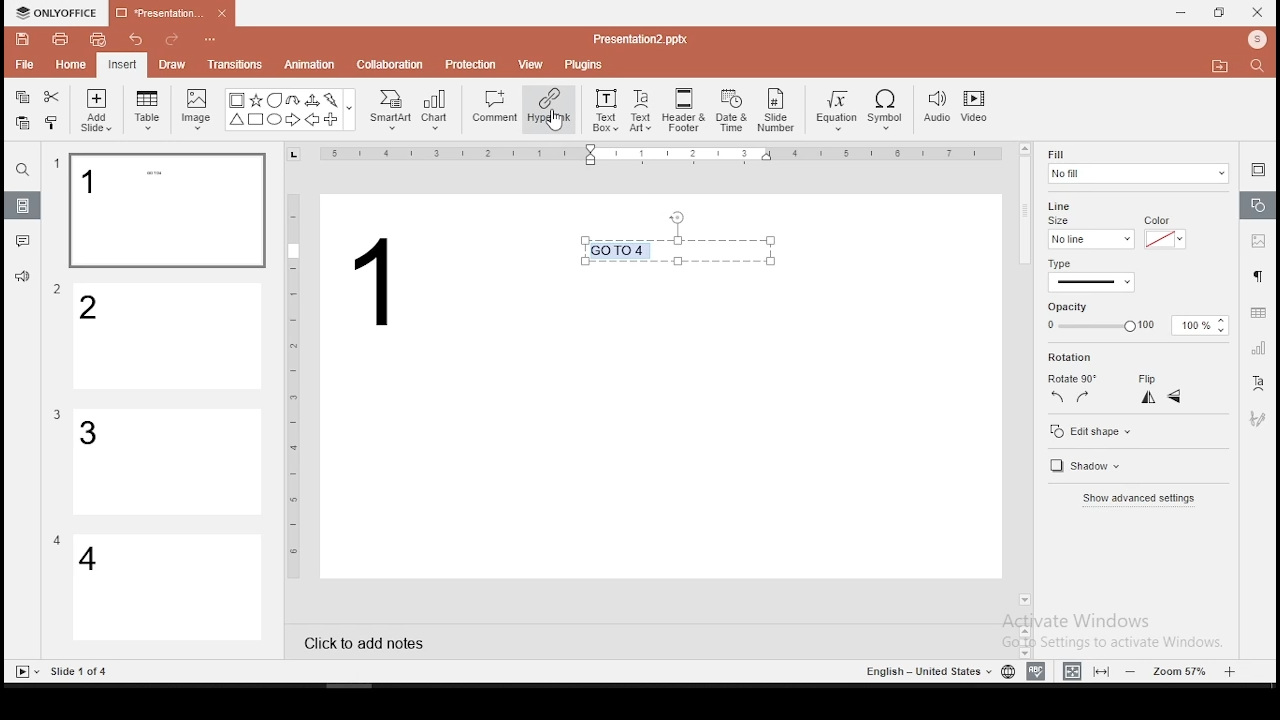 The width and height of the screenshot is (1280, 720). I want to click on icon, so click(60, 13).